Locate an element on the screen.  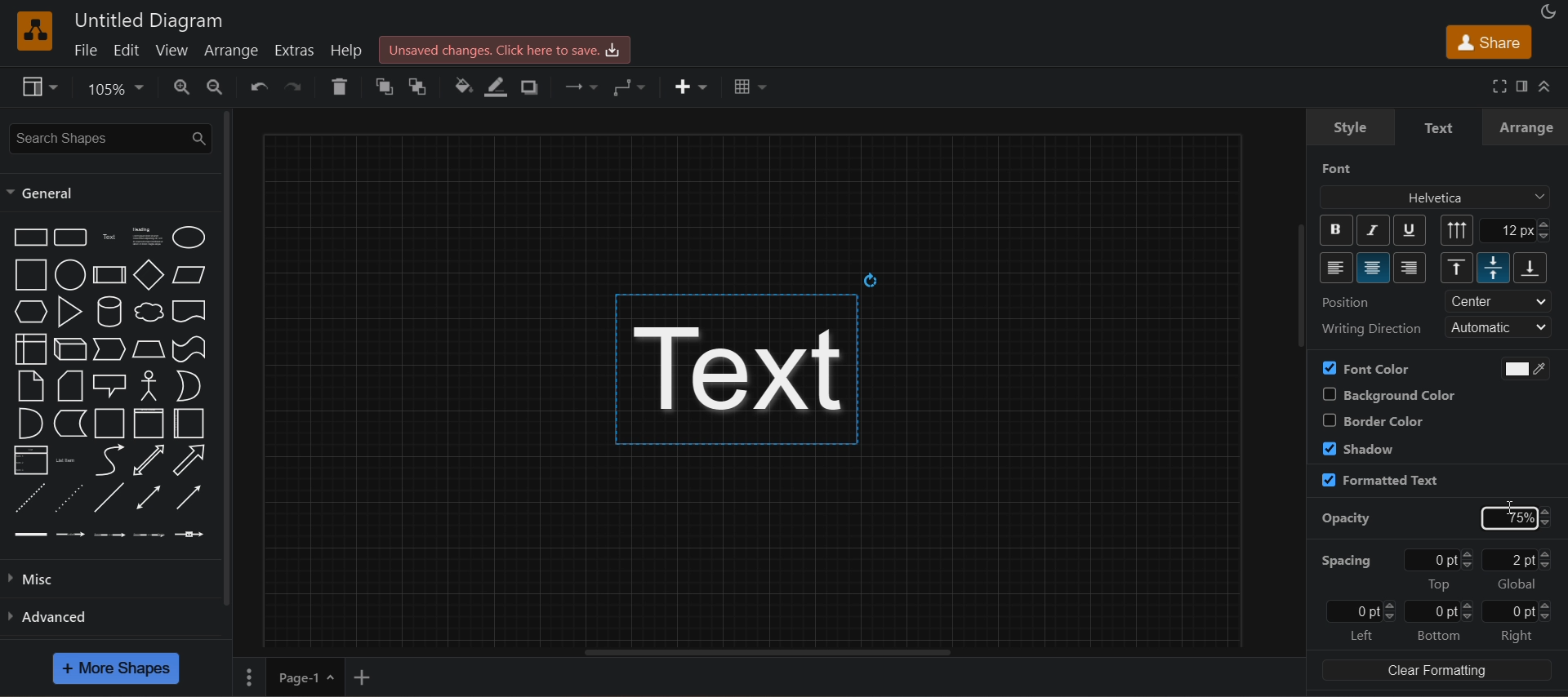
title is located at coordinates (149, 20).